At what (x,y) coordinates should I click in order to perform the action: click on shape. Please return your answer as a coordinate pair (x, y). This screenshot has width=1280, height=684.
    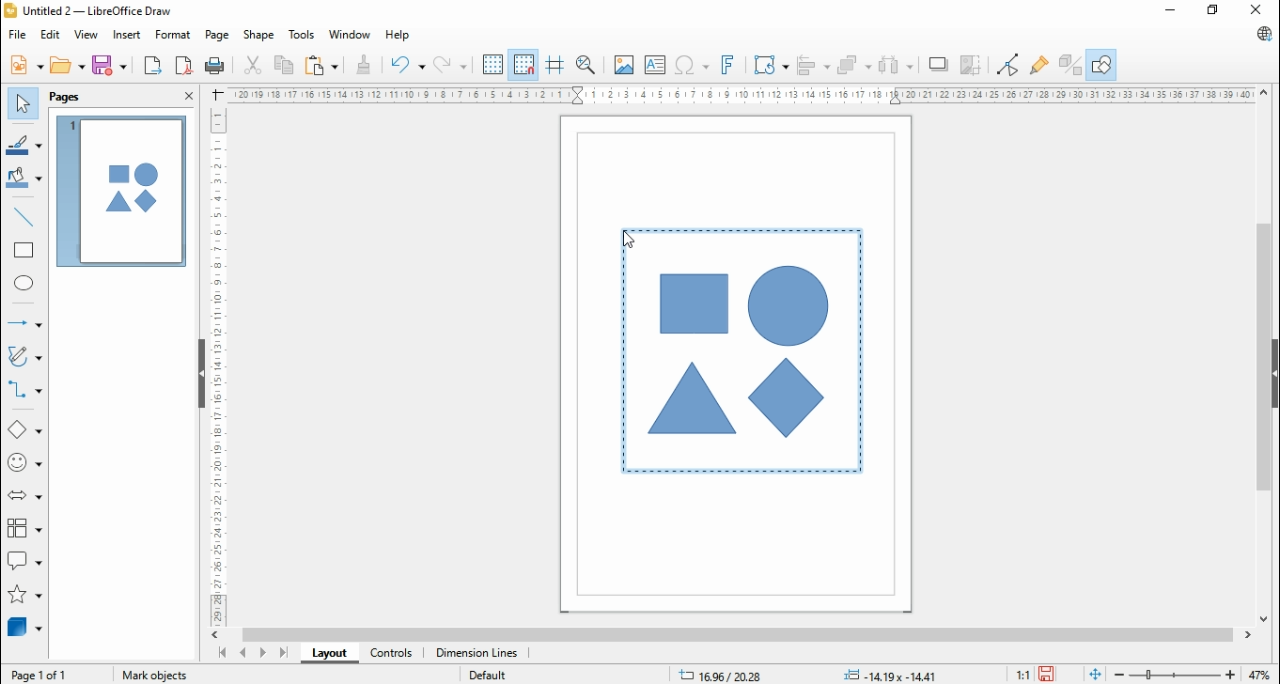
    Looking at the image, I should click on (258, 35).